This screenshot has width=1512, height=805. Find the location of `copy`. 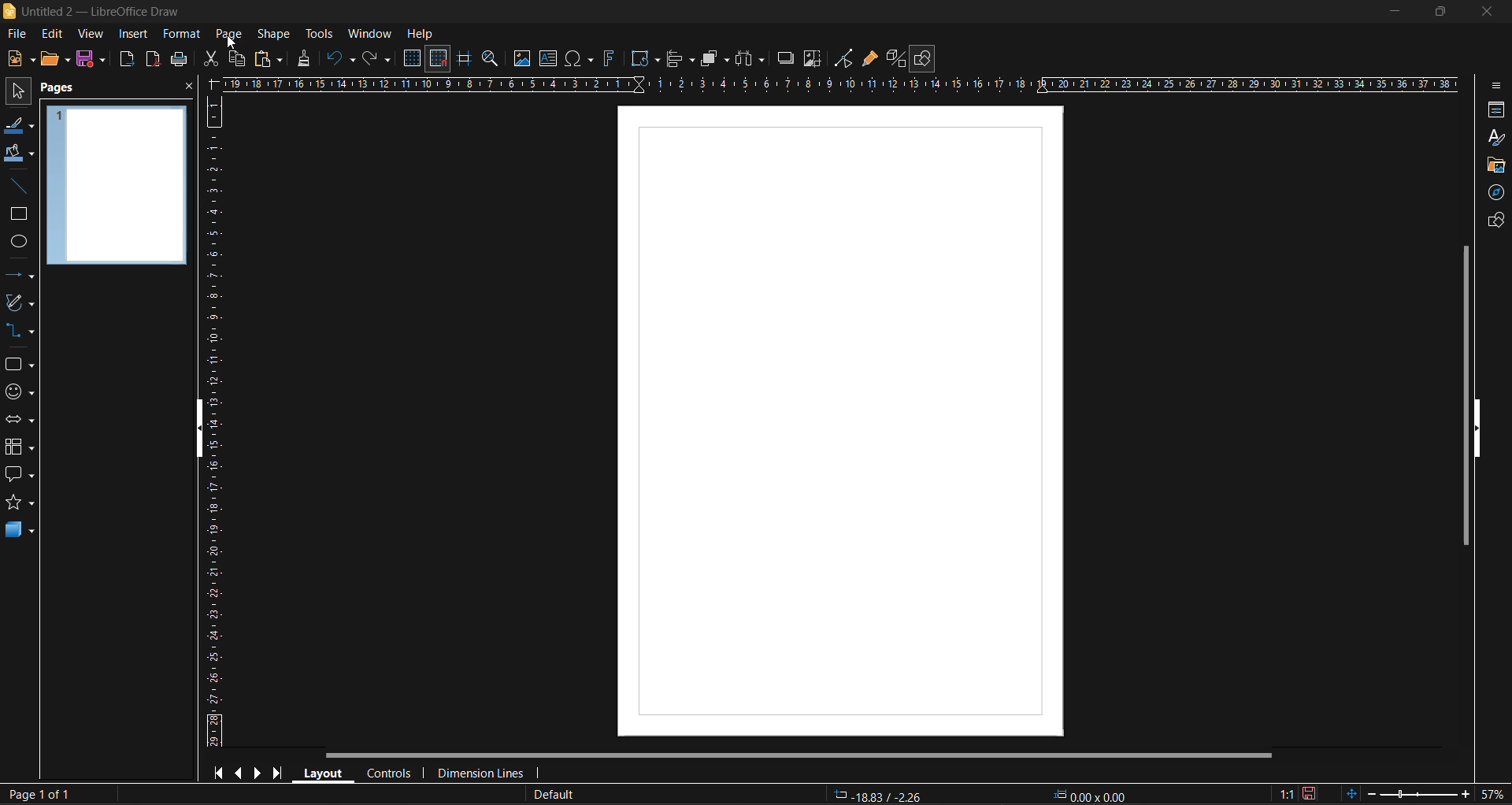

copy is located at coordinates (236, 59).